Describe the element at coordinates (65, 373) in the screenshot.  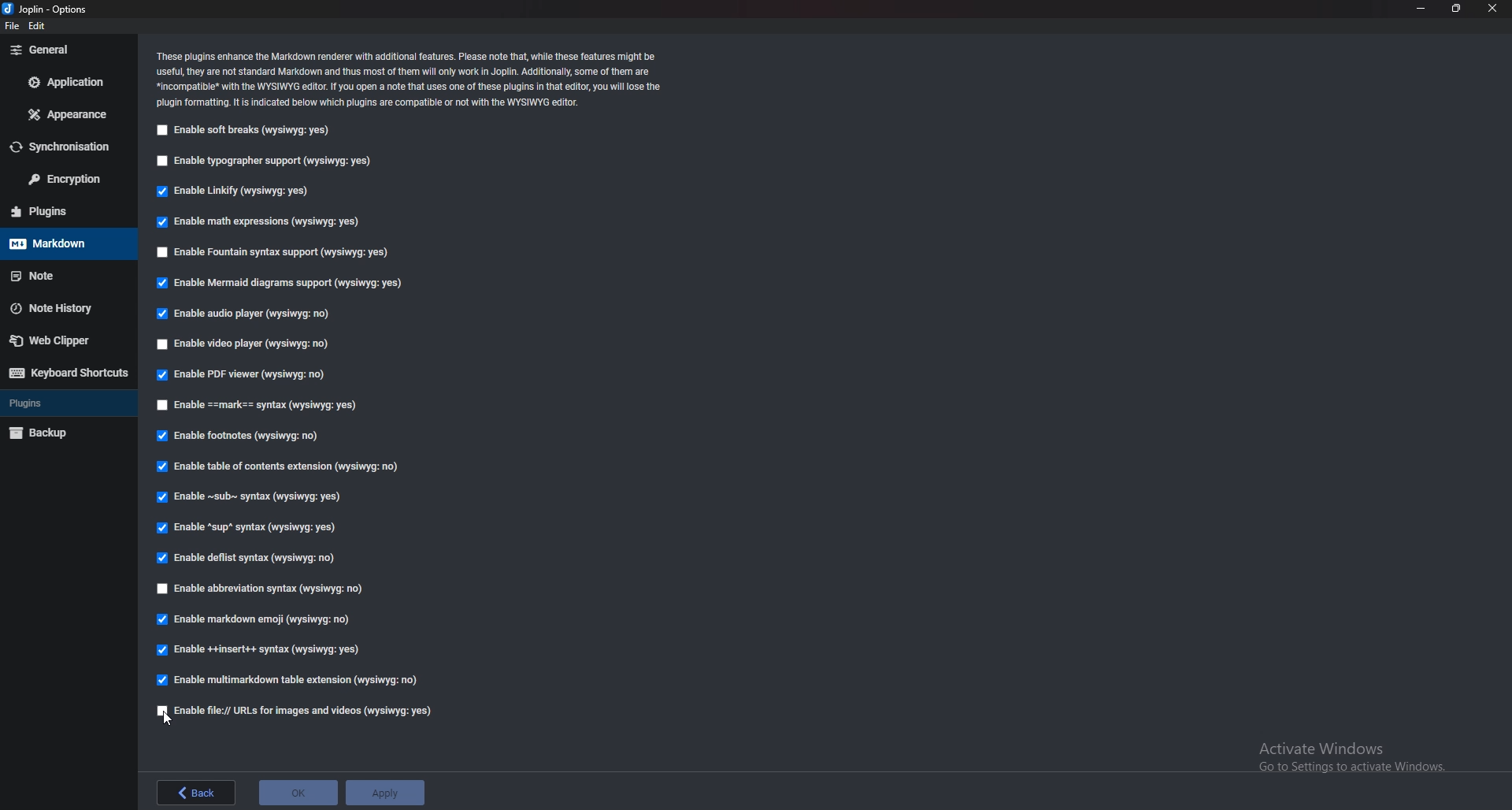
I see `Keyboard shortcuts` at that location.